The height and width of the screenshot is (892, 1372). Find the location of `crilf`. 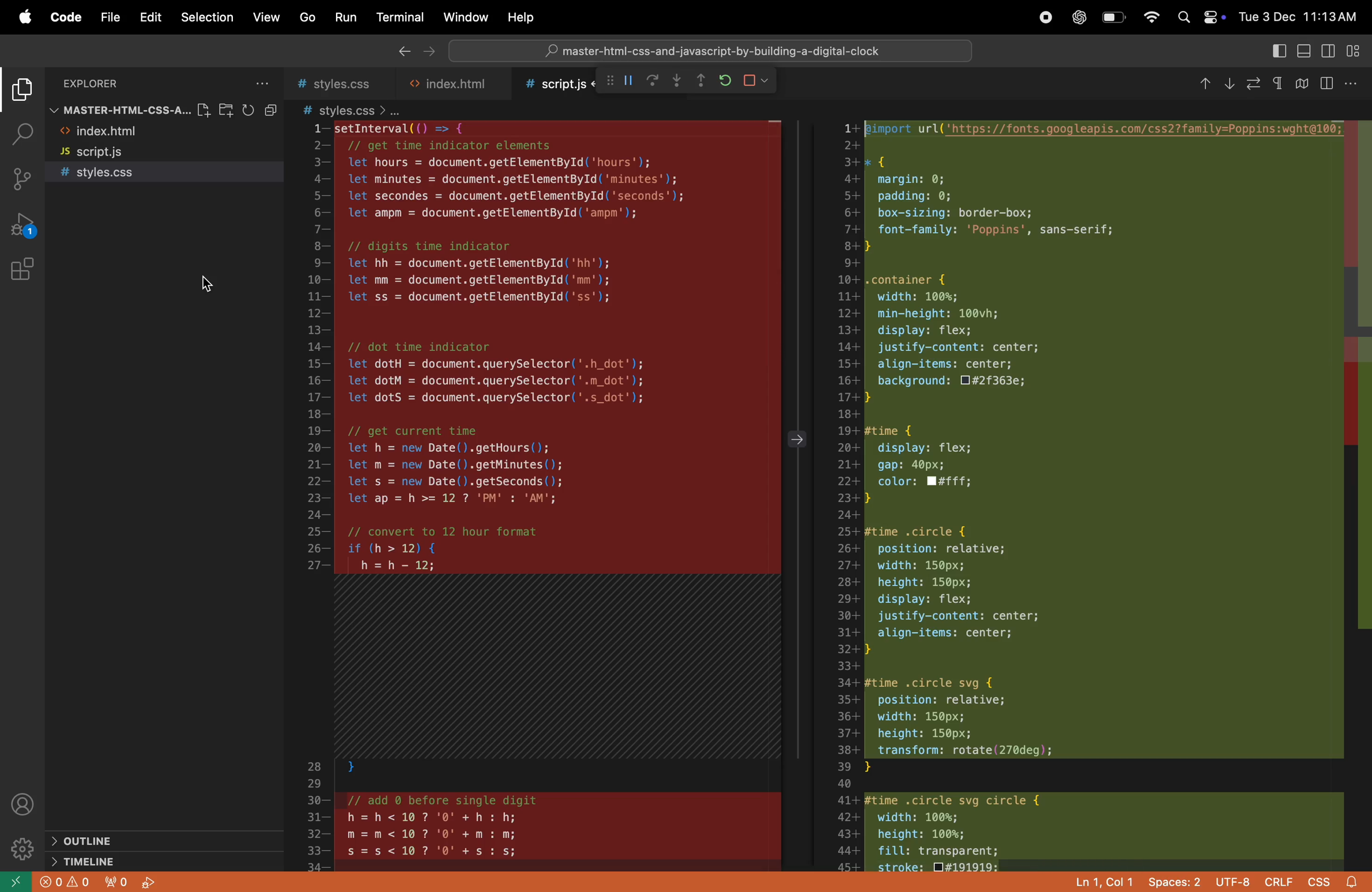

crilf is located at coordinates (1279, 882).